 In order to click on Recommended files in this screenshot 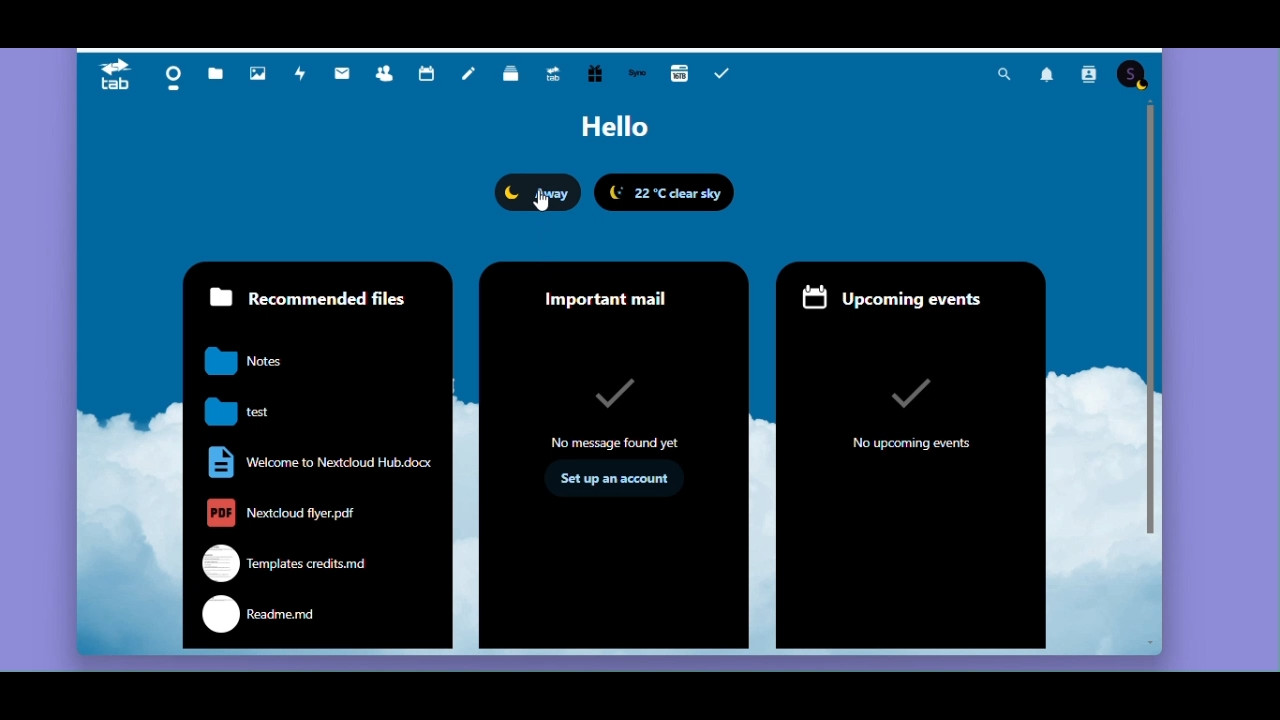, I will do `click(311, 297)`.